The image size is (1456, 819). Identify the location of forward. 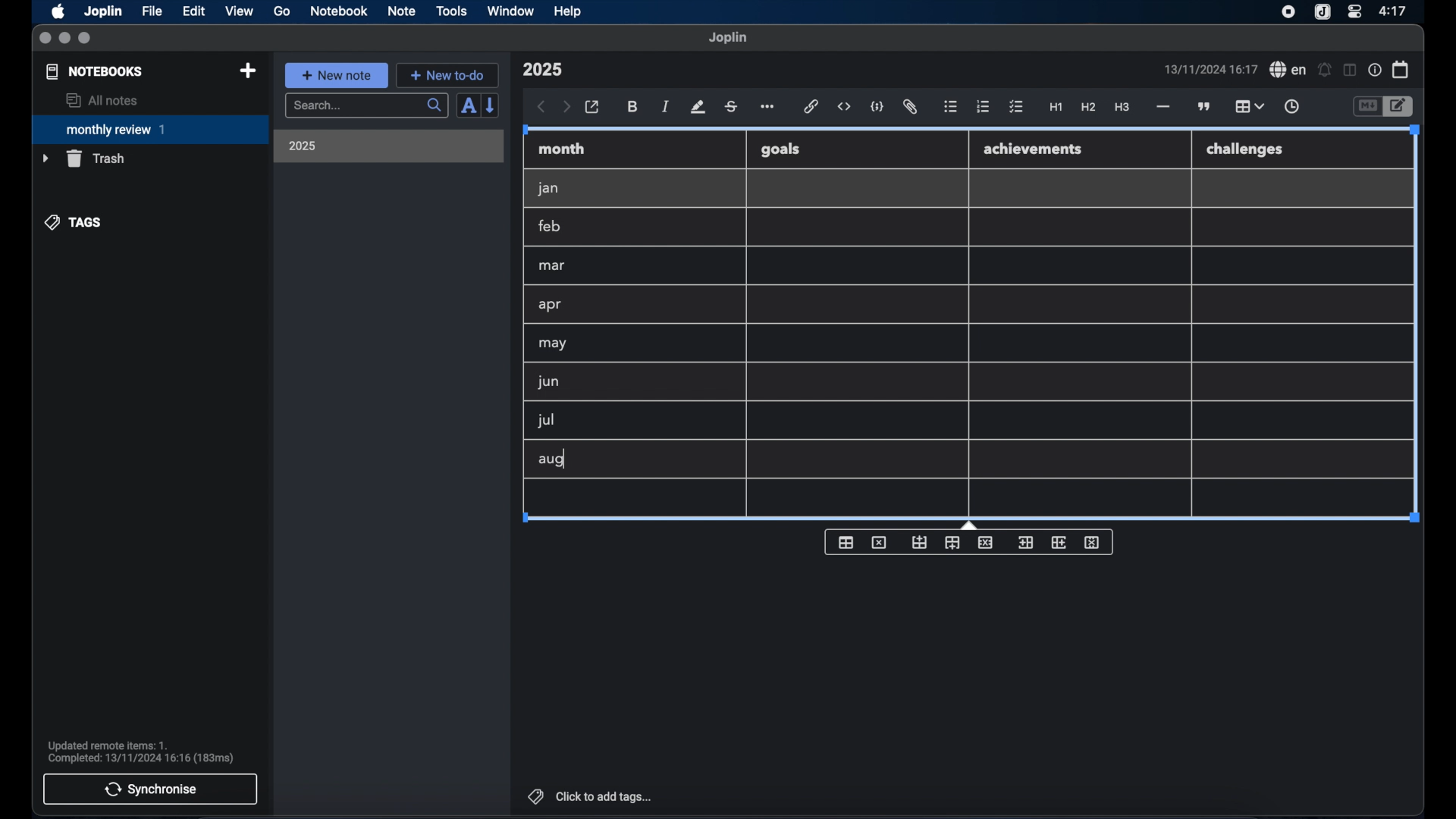
(566, 108).